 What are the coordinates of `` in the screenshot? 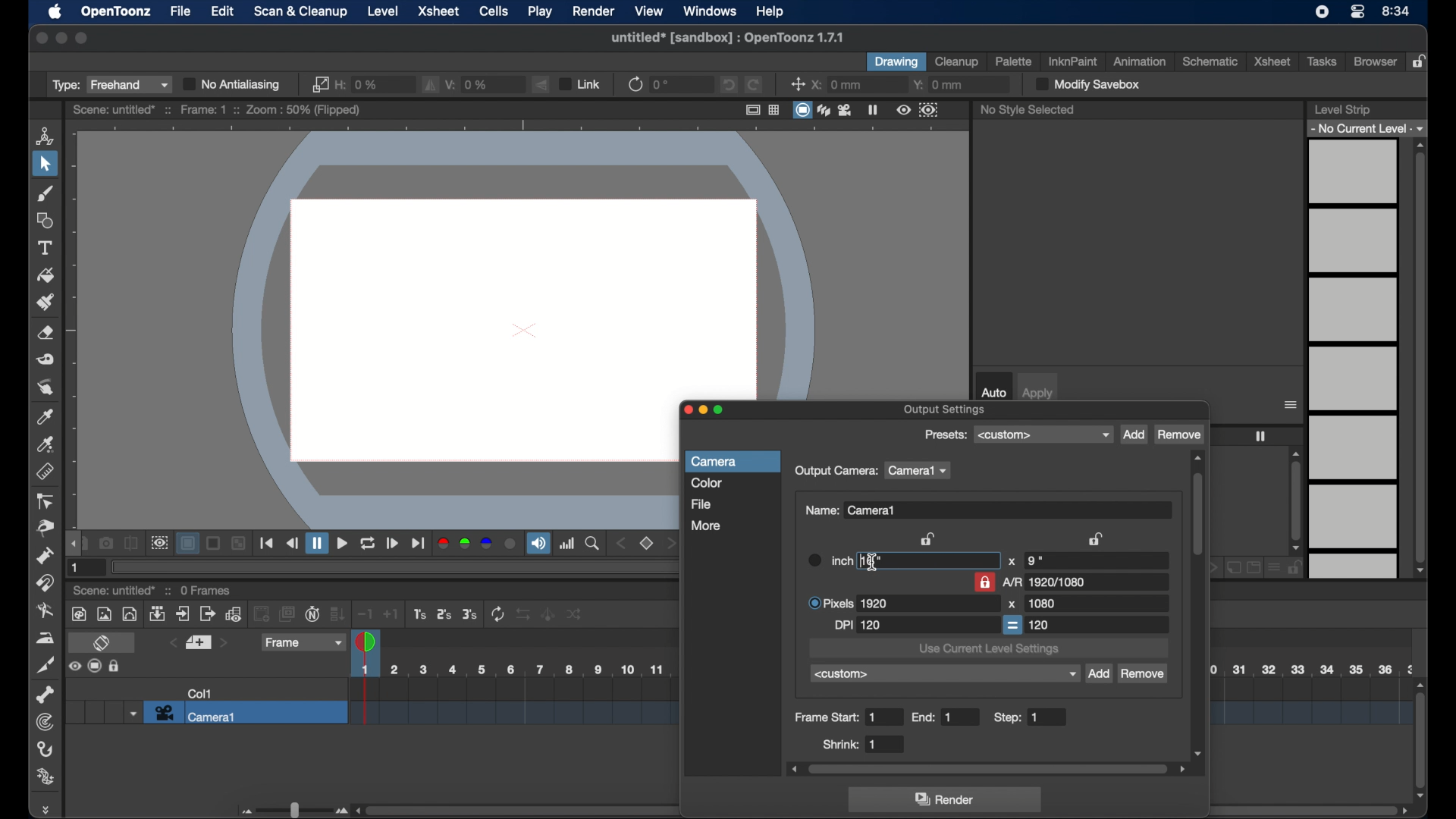 It's located at (215, 544).